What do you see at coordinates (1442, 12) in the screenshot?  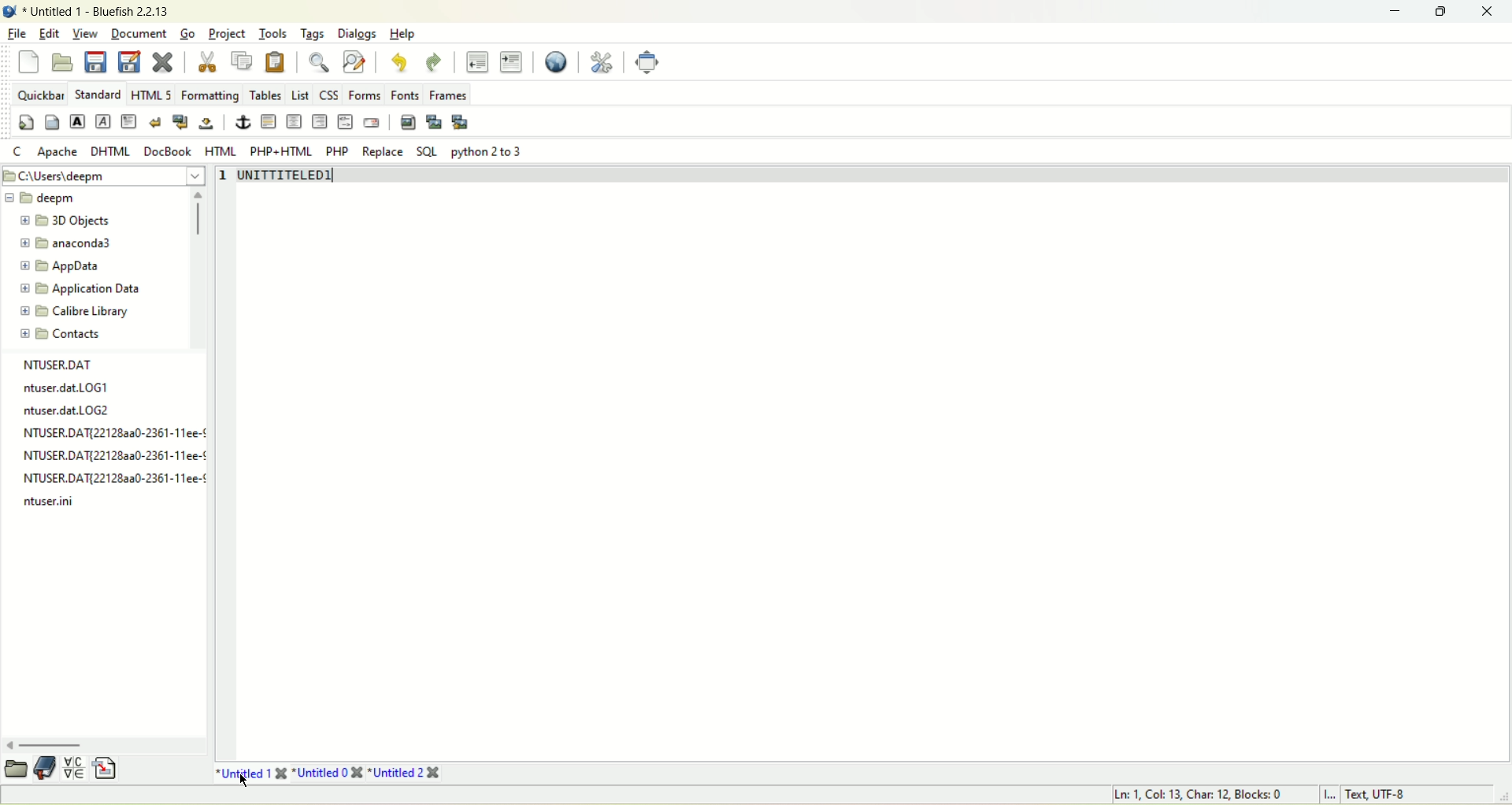 I see `maximize` at bounding box center [1442, 12].